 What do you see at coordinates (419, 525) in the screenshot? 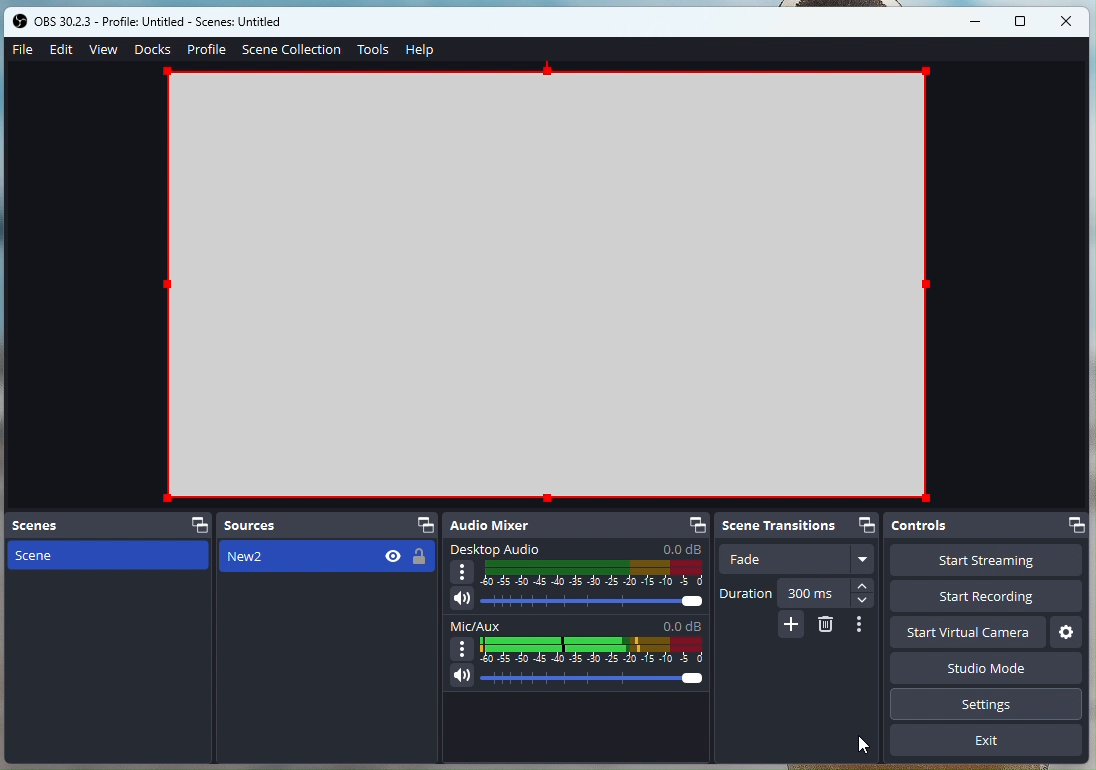
I see `dock options` at bounding box center [419, 525].